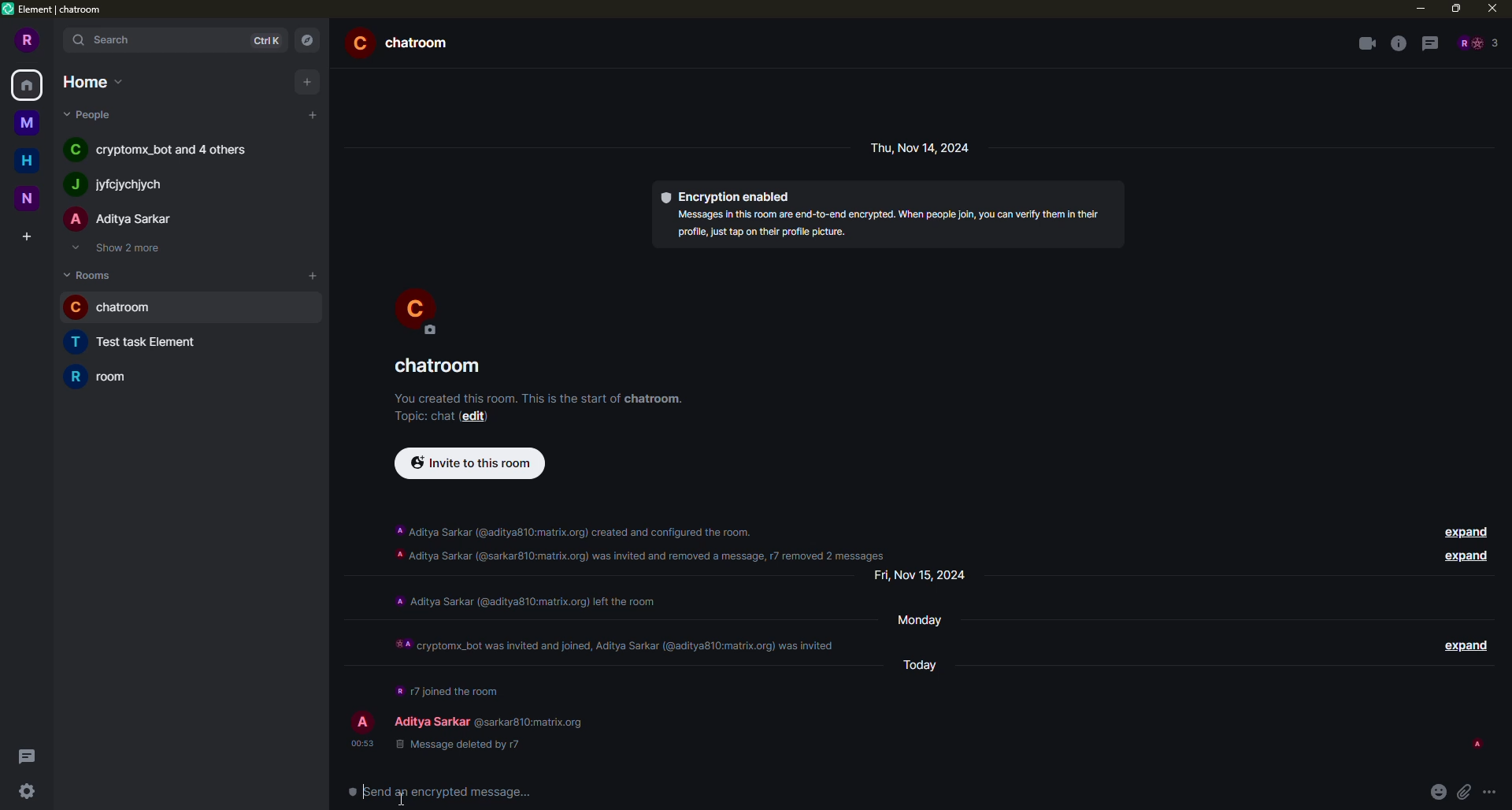 The image size is (1512, 810). I want to click on day, so click(927, 575).